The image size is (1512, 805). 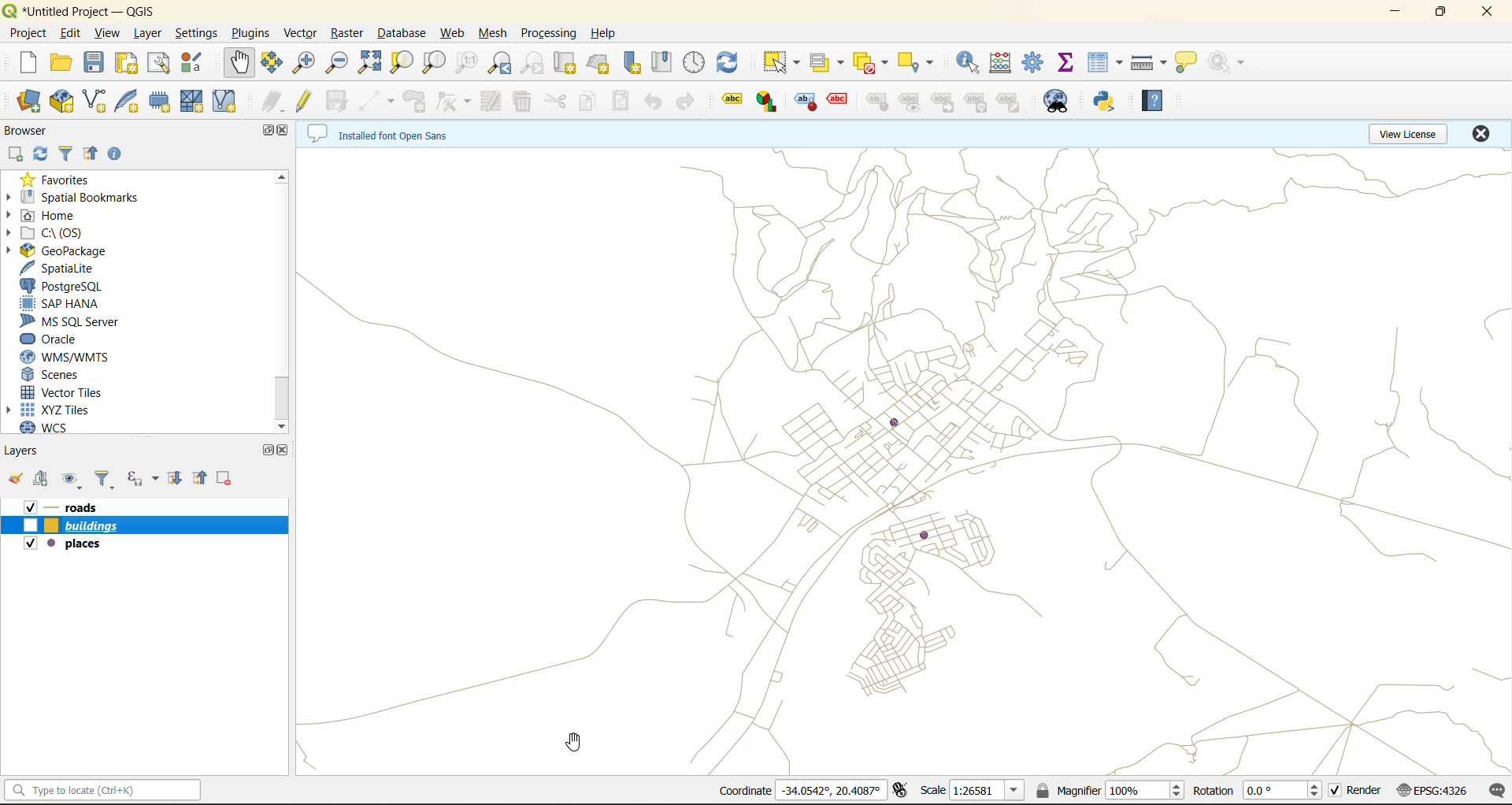 I want to click on mesh, so click(x=492, y=34).